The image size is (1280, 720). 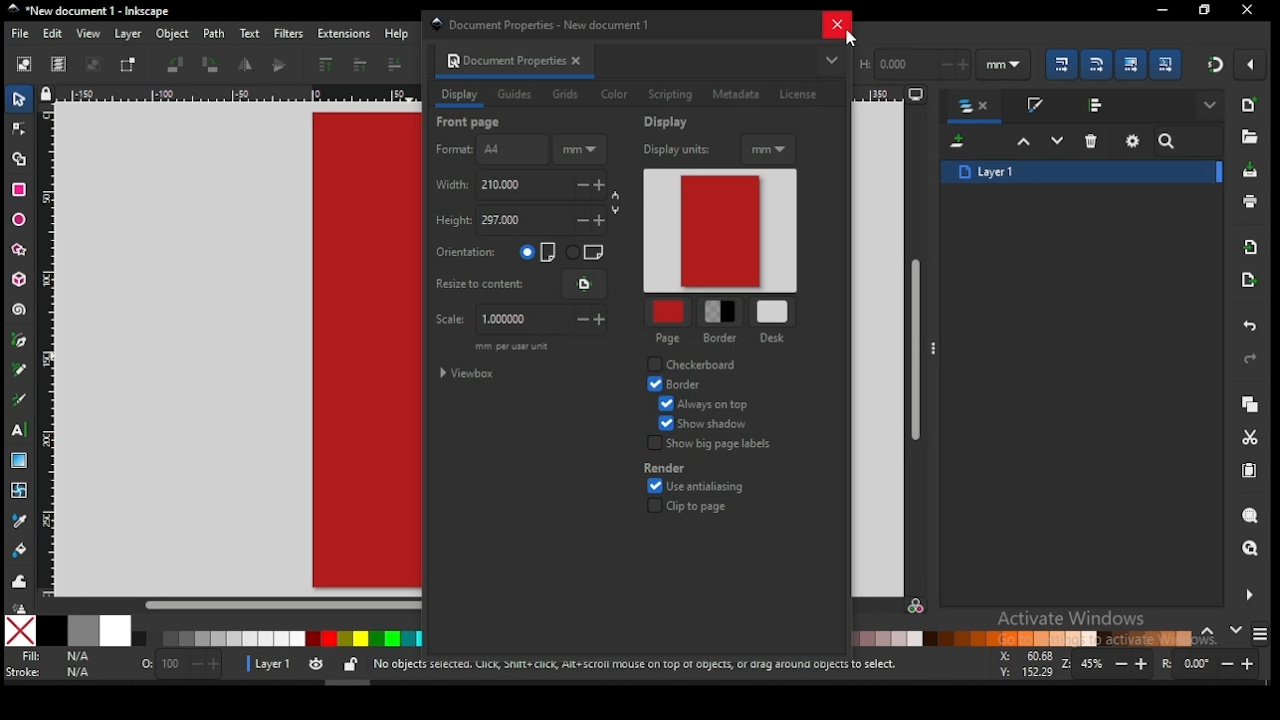 I want to click on node tool, so click(x=20, y=128).